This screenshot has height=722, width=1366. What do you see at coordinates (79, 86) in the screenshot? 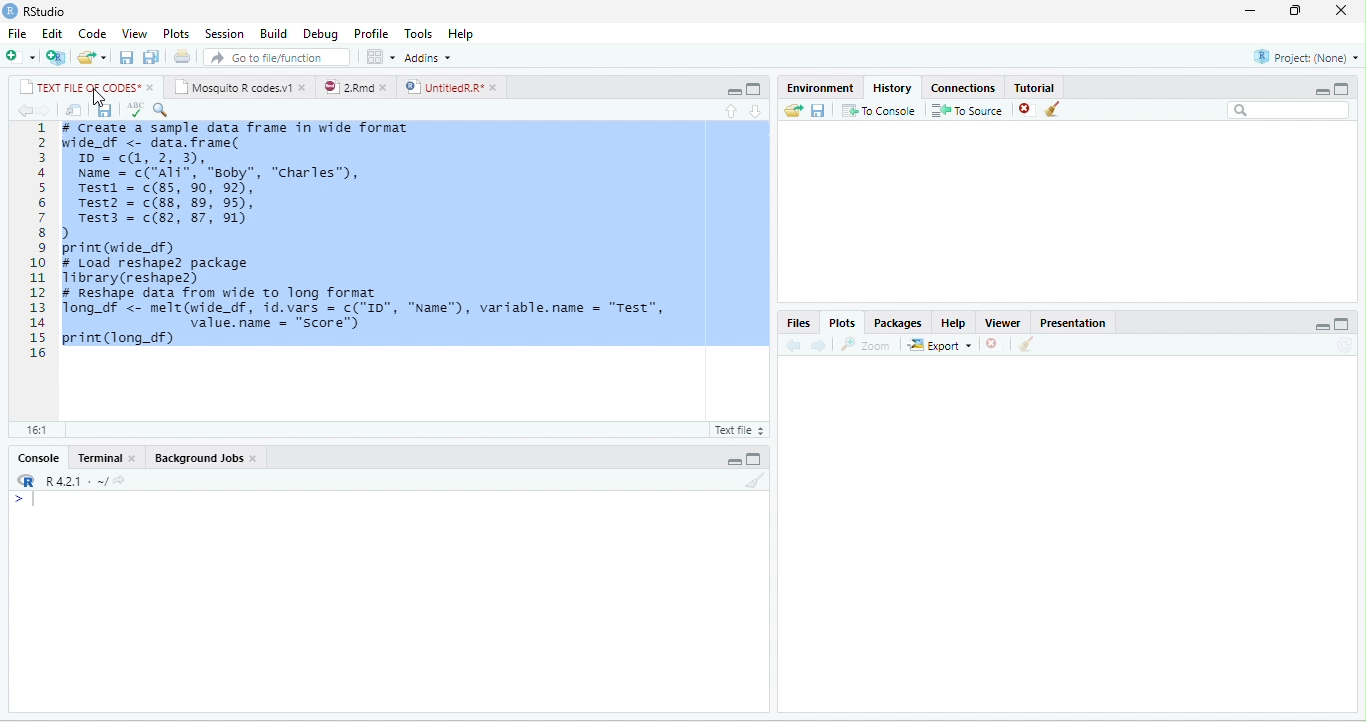
I see `TEXT FILE OF CODES` at bounding box center [79, 86].